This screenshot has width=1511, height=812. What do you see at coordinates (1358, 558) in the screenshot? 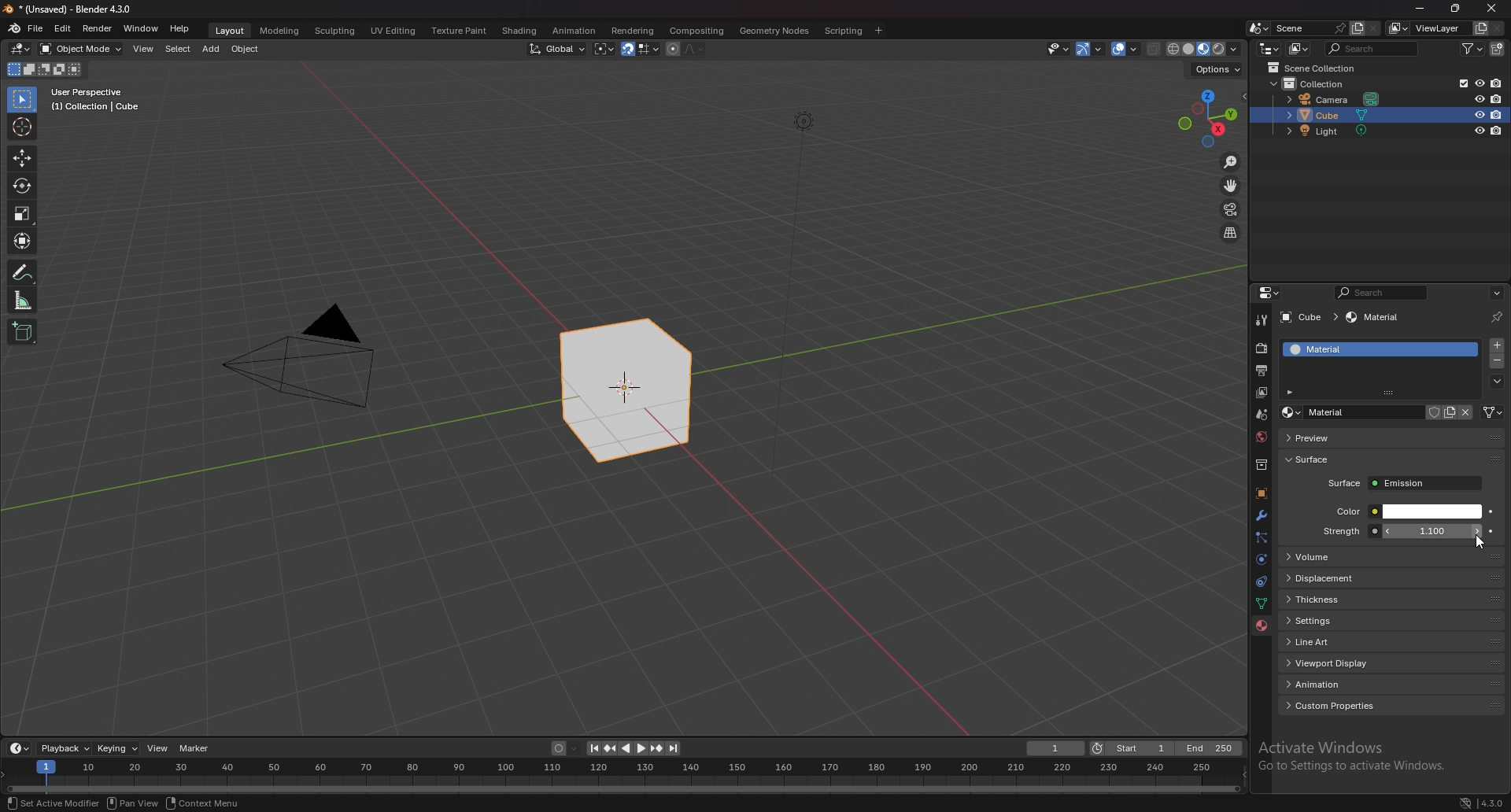
I see `volume` at bounding box center [1358, 558].